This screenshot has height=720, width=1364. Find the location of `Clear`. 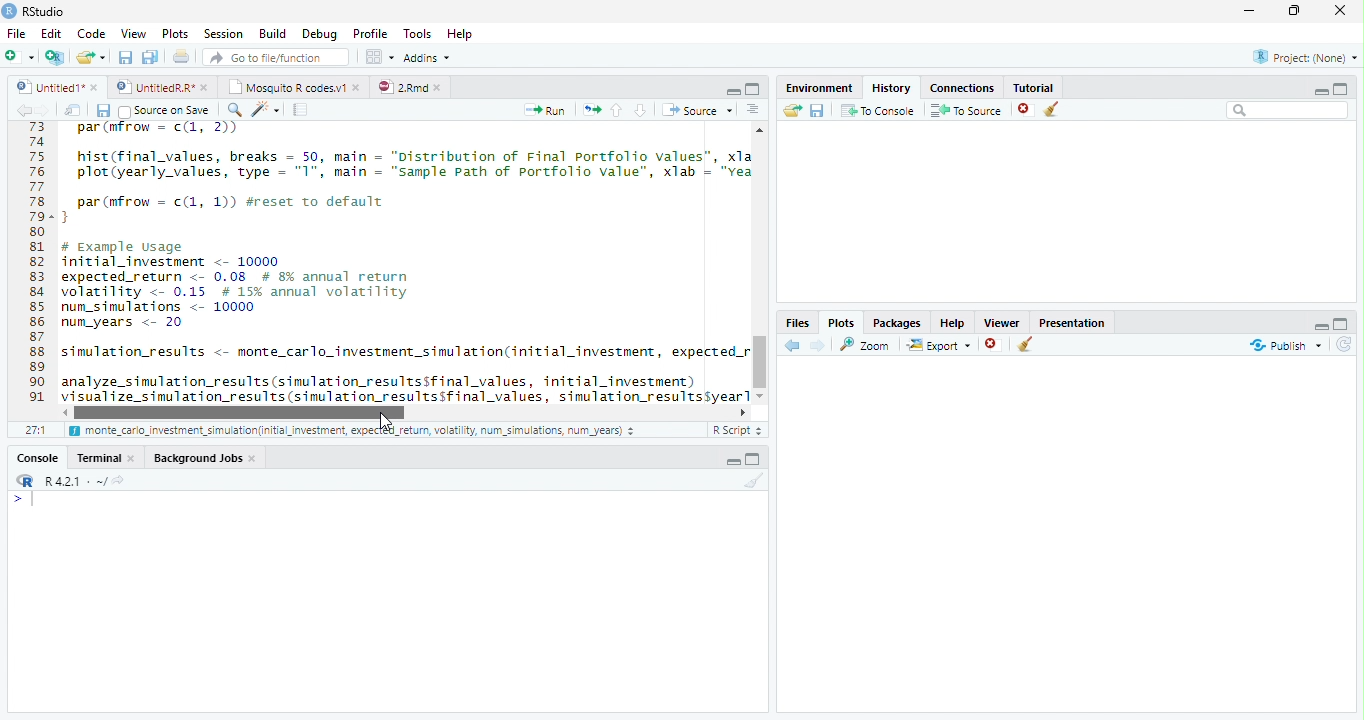

Clear is located at coordinates (751, 481).